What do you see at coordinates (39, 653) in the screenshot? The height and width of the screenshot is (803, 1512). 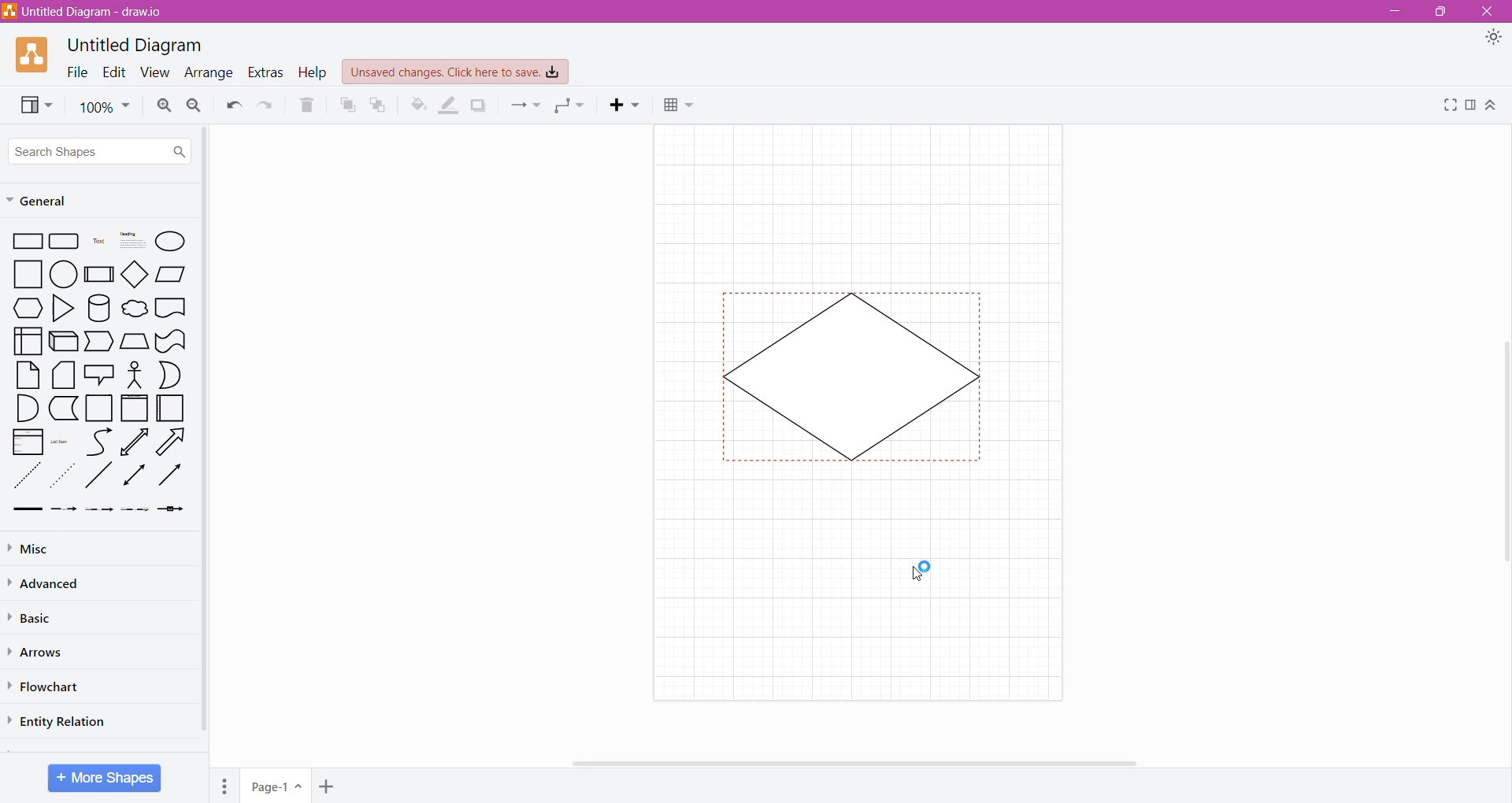 I see `Arrows` at bounding box center [39, 653].